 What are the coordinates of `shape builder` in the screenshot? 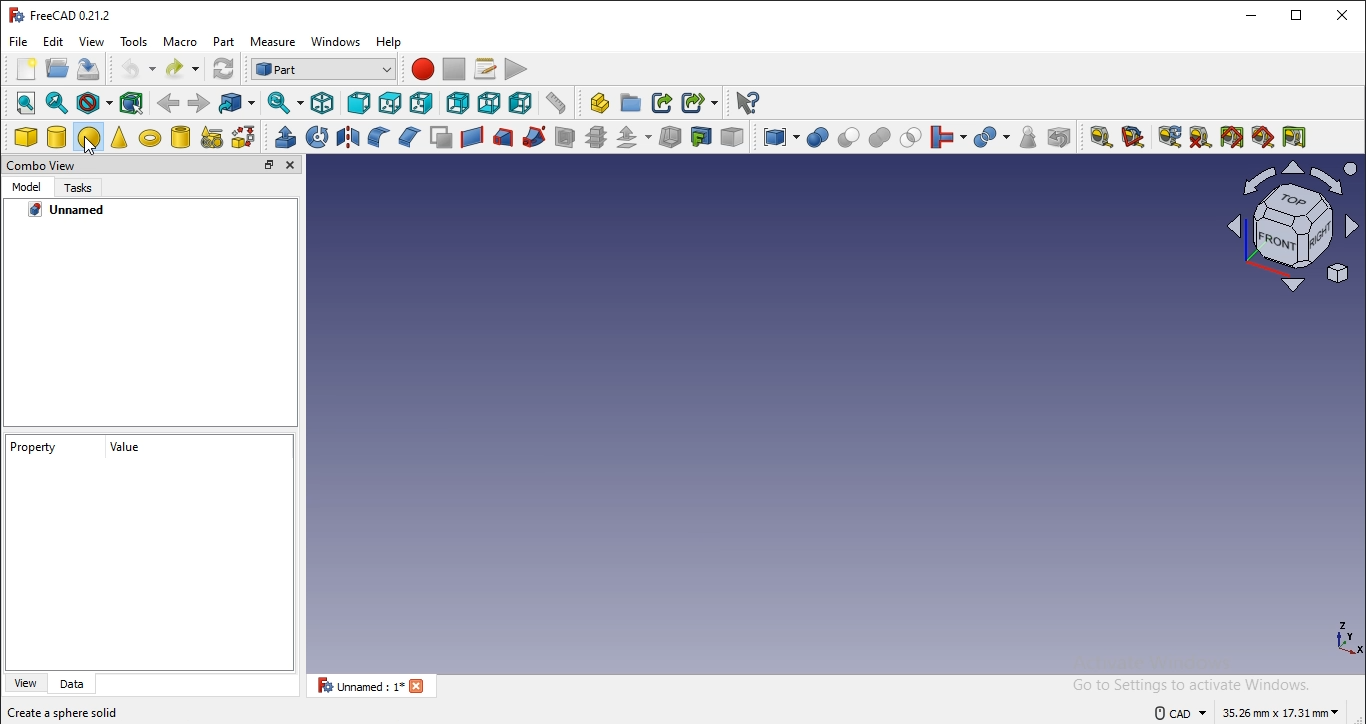 It's located at (244, 136).